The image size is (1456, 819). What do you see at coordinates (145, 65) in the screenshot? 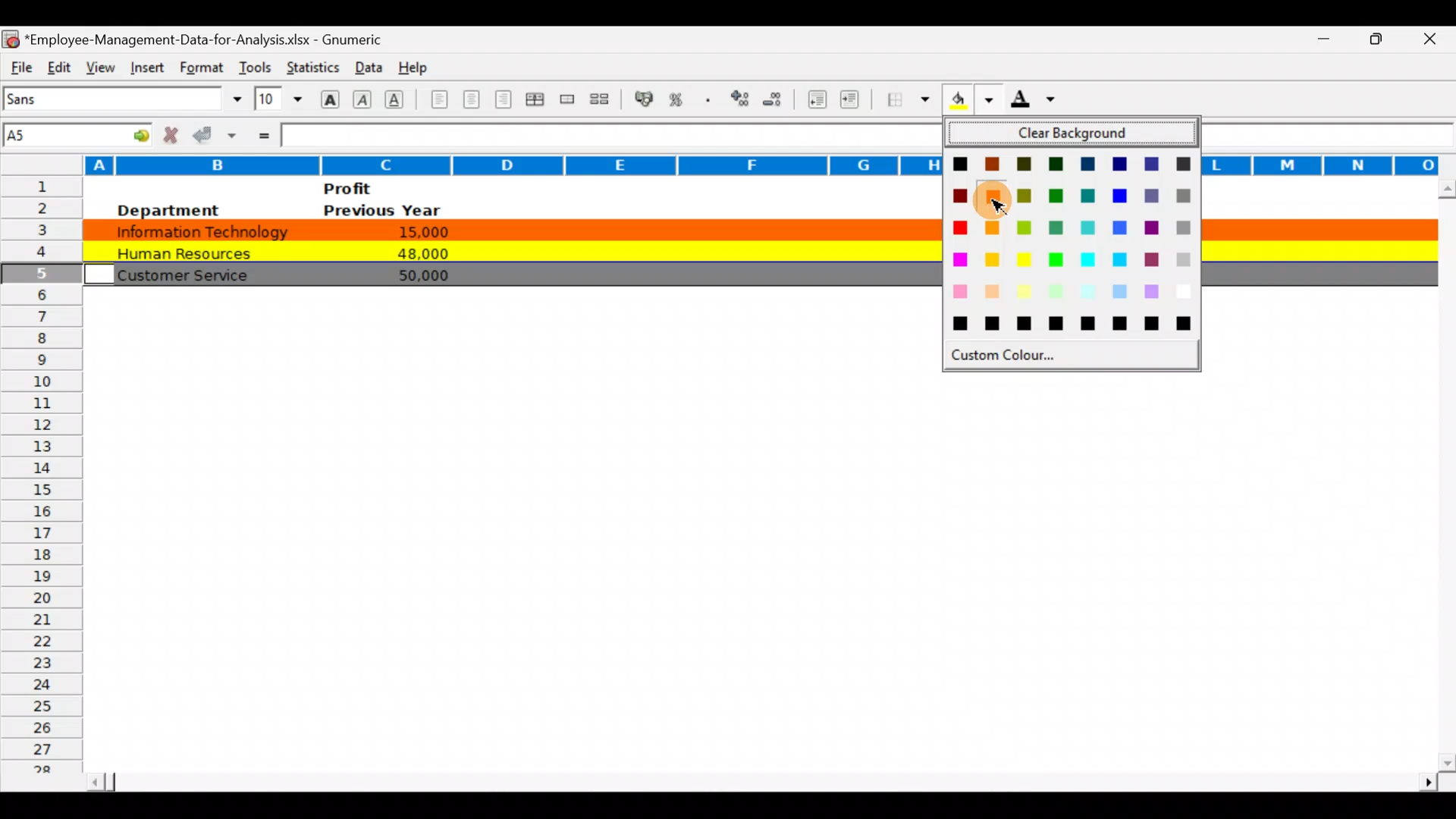
I see `Insert` at bounding box center [145, 65].